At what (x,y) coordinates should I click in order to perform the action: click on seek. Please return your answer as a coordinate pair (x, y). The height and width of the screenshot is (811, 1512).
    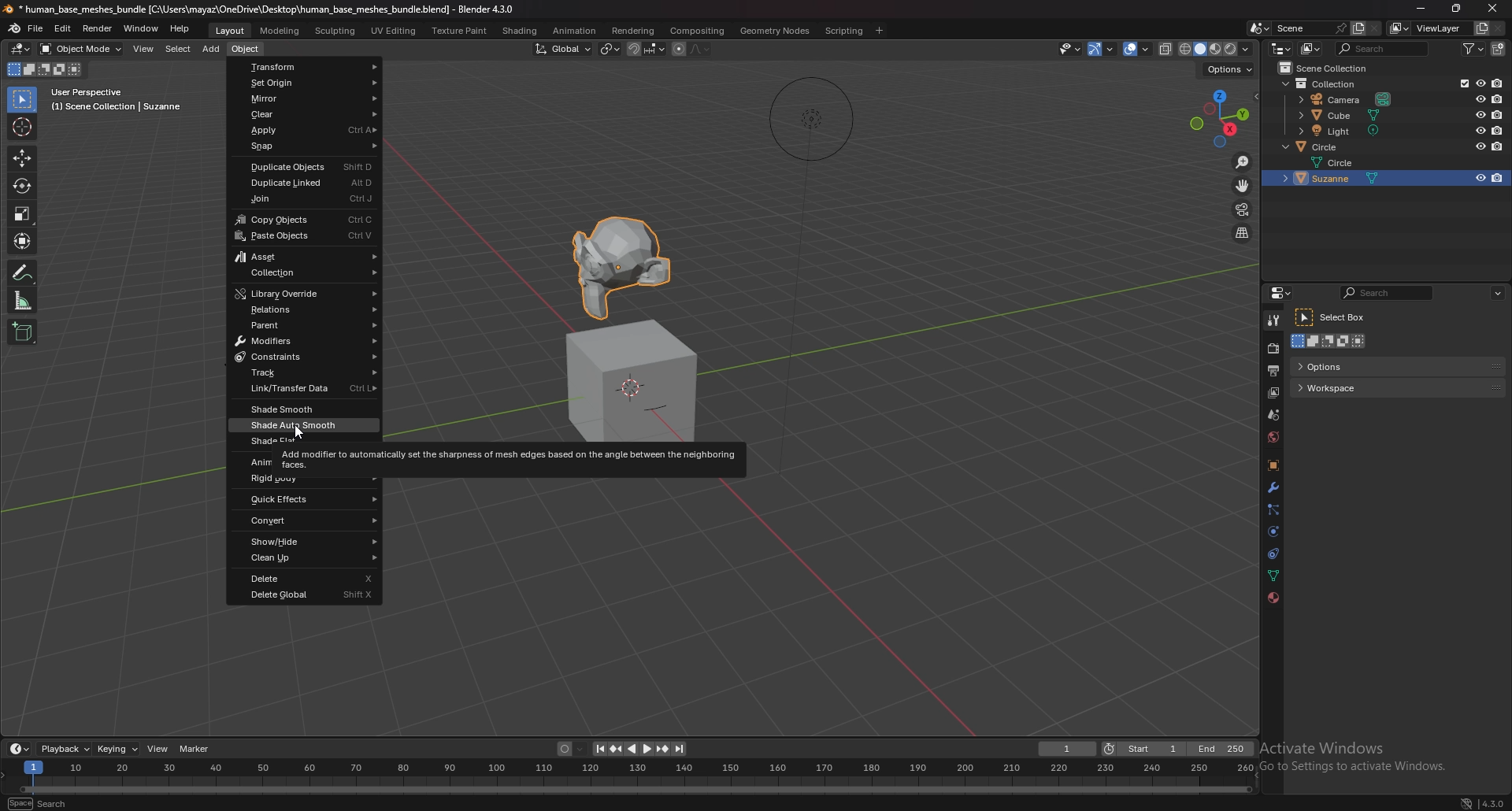
    Looking at the image, I should click on (638, 776).